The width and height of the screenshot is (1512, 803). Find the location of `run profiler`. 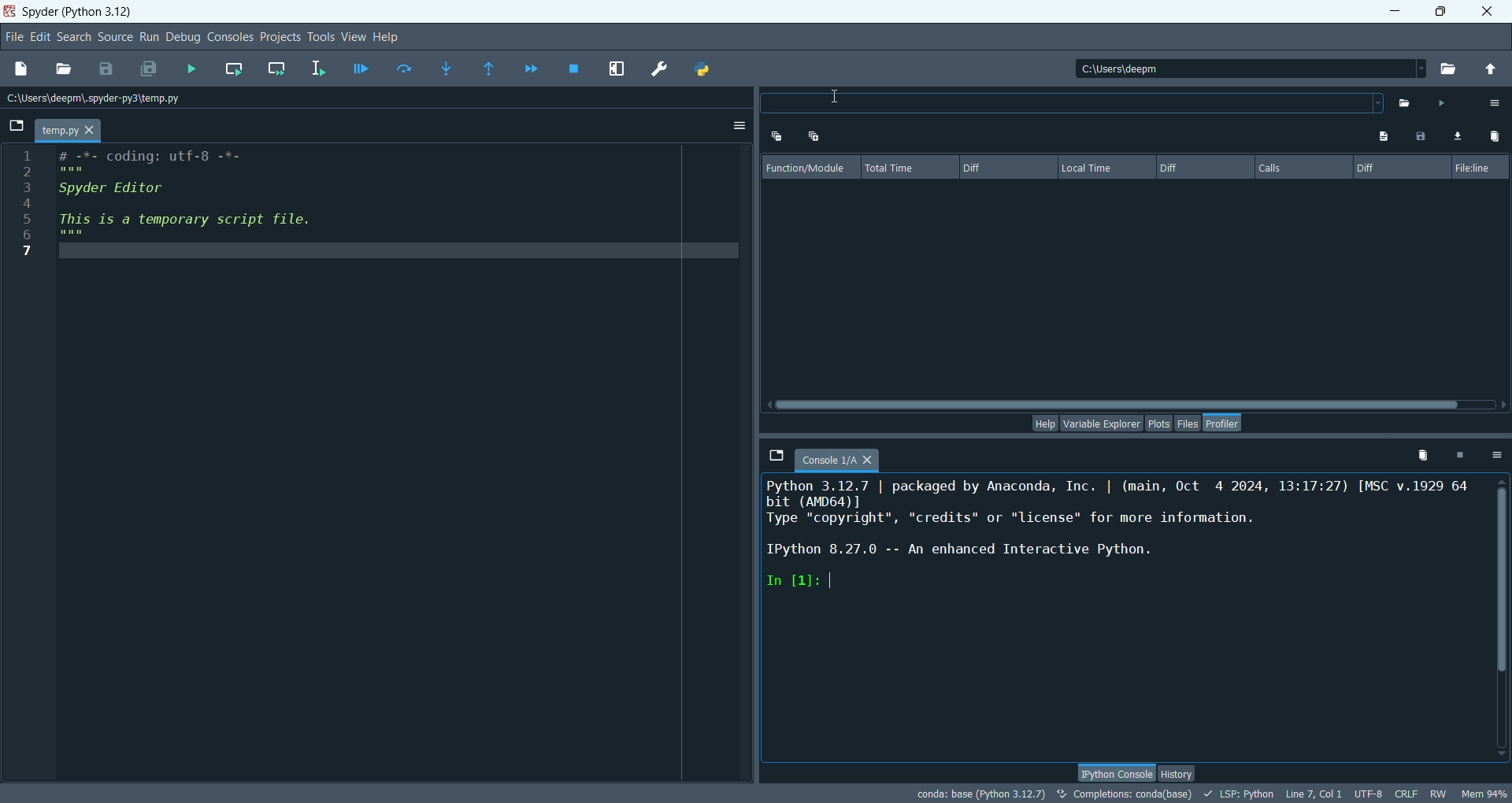

run profiler is located at coordinates (1440, 103).